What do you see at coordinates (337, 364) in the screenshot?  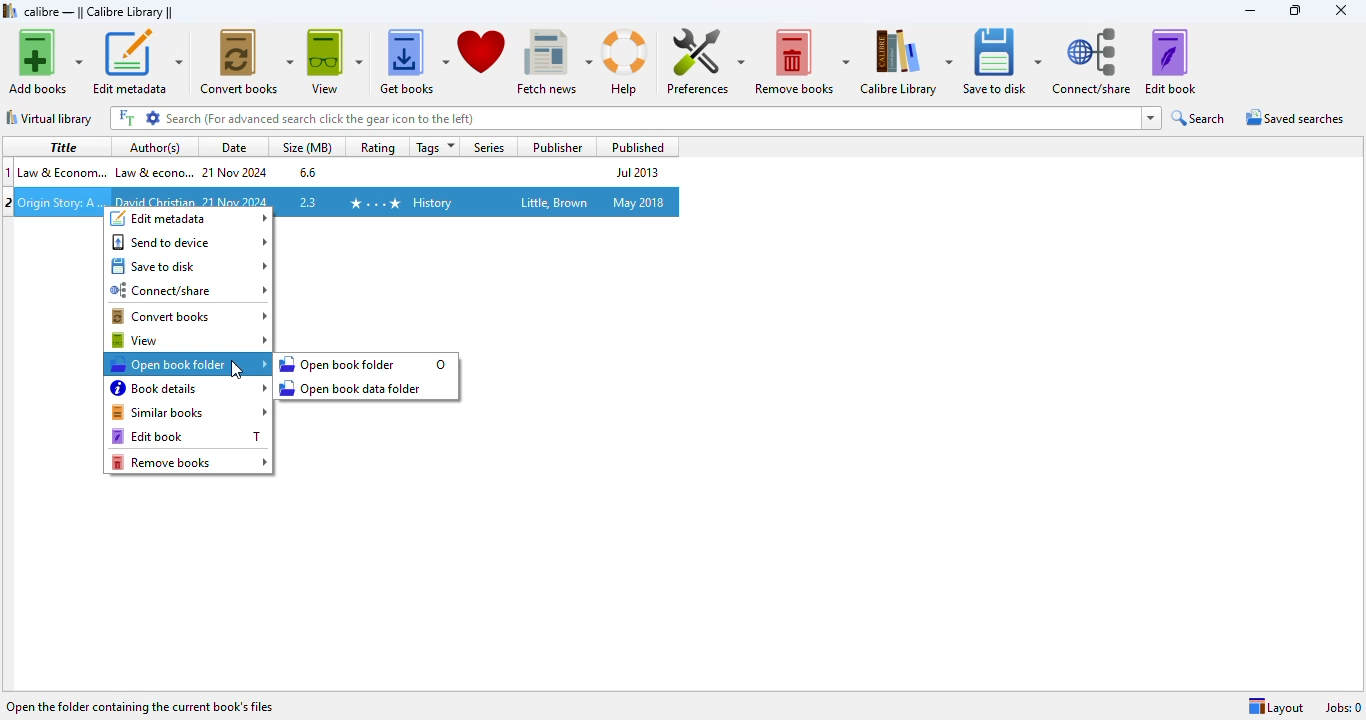 I see `open book folder` at bounding box center [337, 364].